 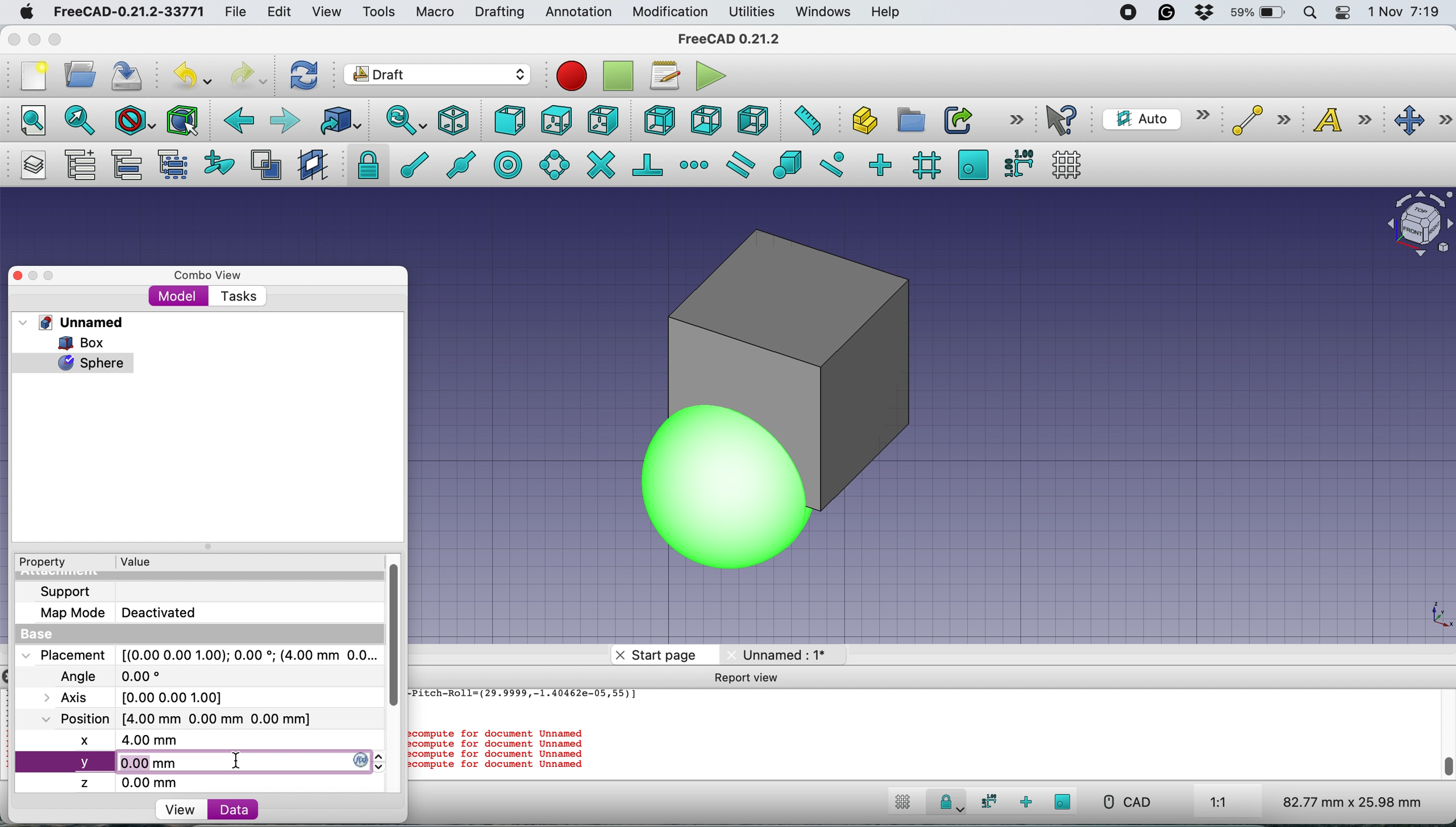 What do you see at coordinates (556, 119) in the screenshot?
I see `top` at bounding box center [556, 119].